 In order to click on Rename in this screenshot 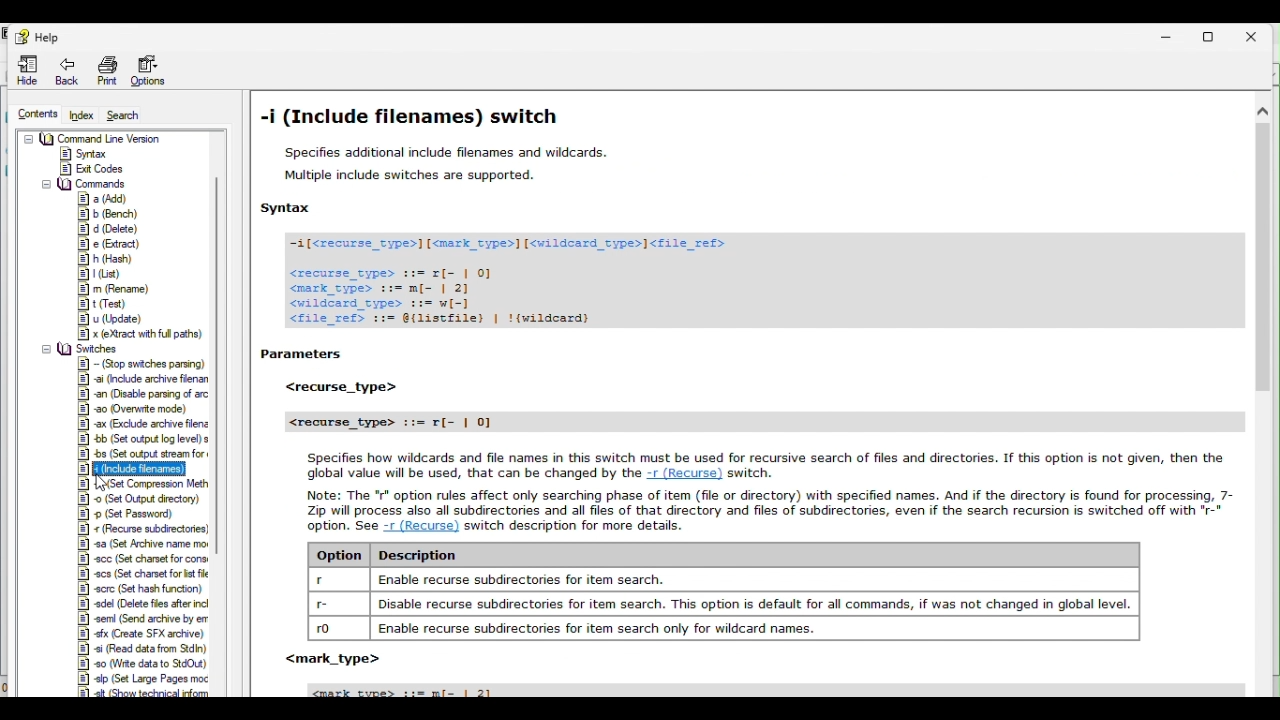, I will do `click(112, 289)`.